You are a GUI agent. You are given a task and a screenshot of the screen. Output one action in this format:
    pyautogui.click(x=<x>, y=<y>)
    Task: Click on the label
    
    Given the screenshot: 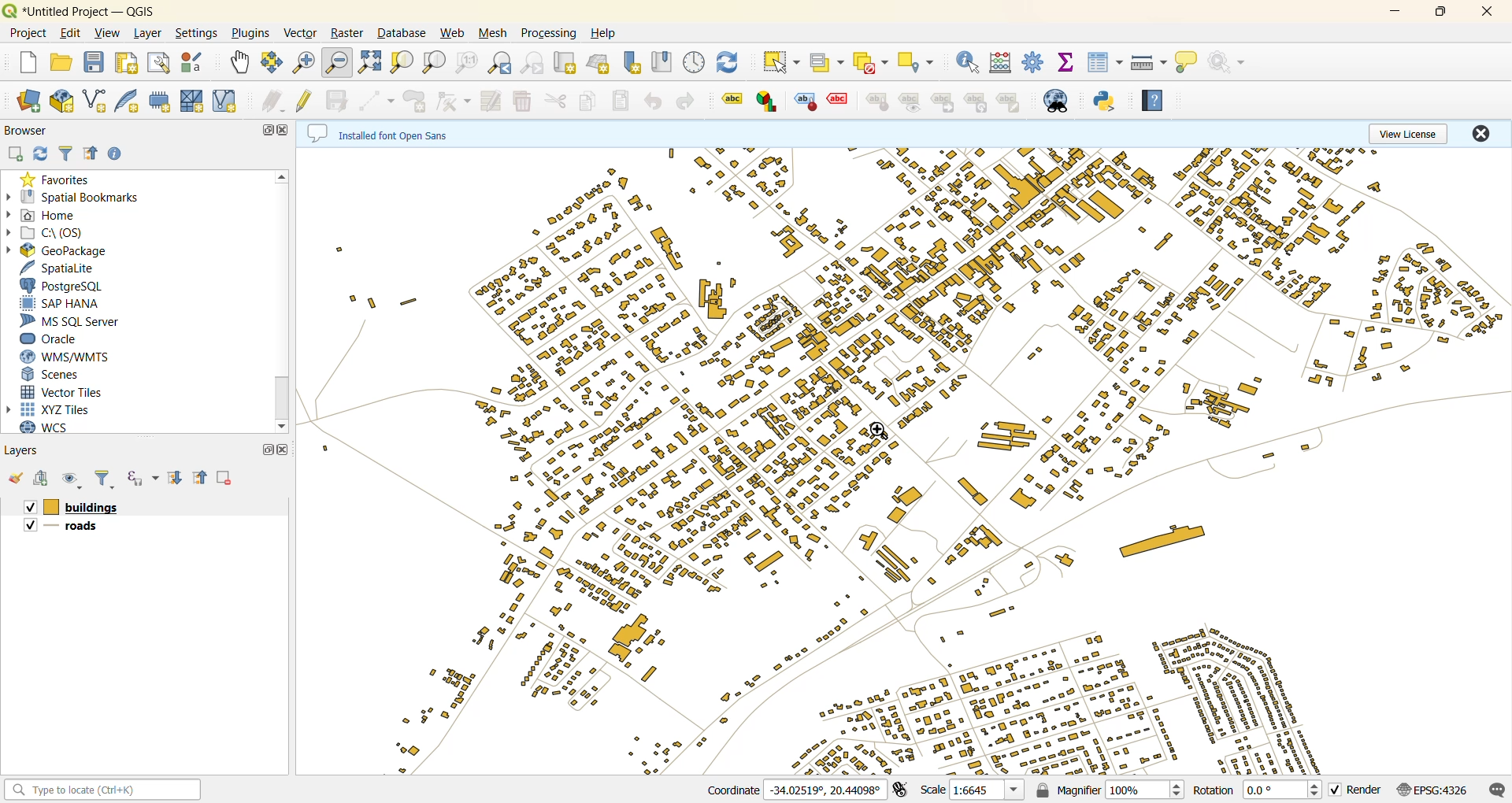 What is the action you would take?
    pyautogui.click(x=839, y=99)
    